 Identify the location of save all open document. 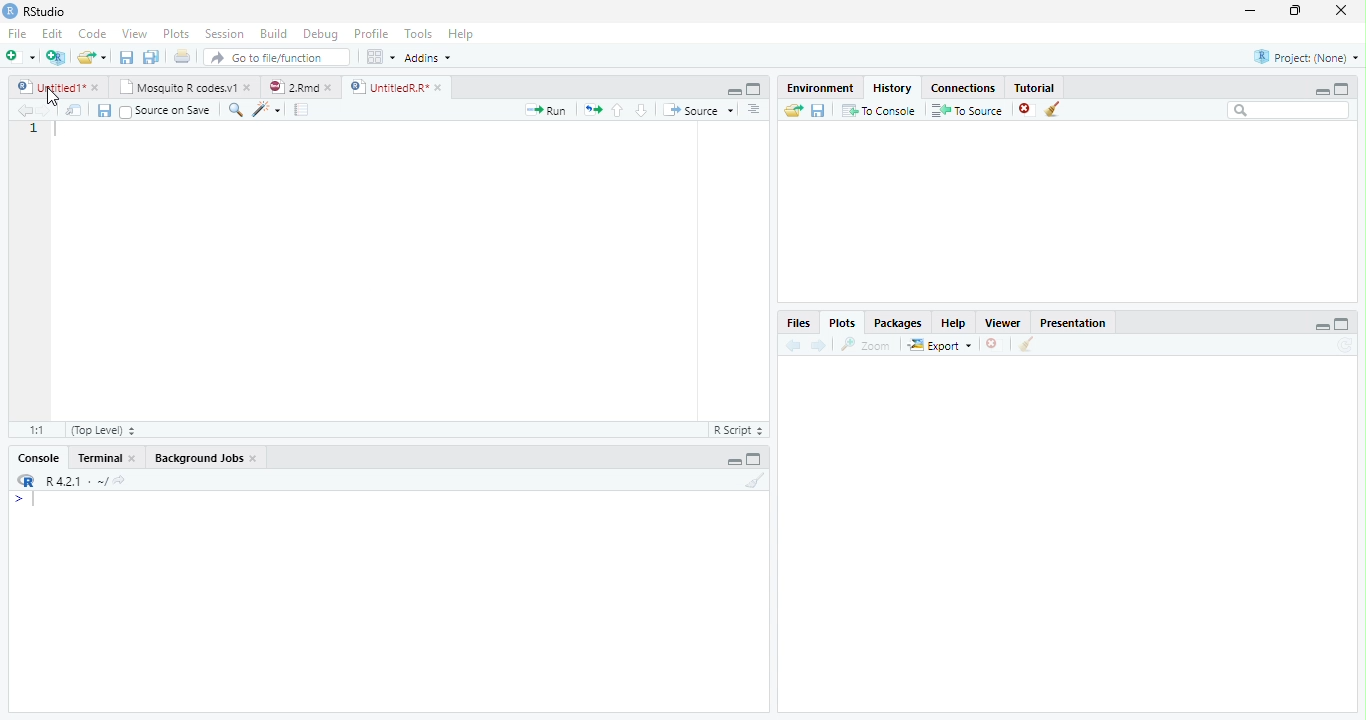
(151, 56).